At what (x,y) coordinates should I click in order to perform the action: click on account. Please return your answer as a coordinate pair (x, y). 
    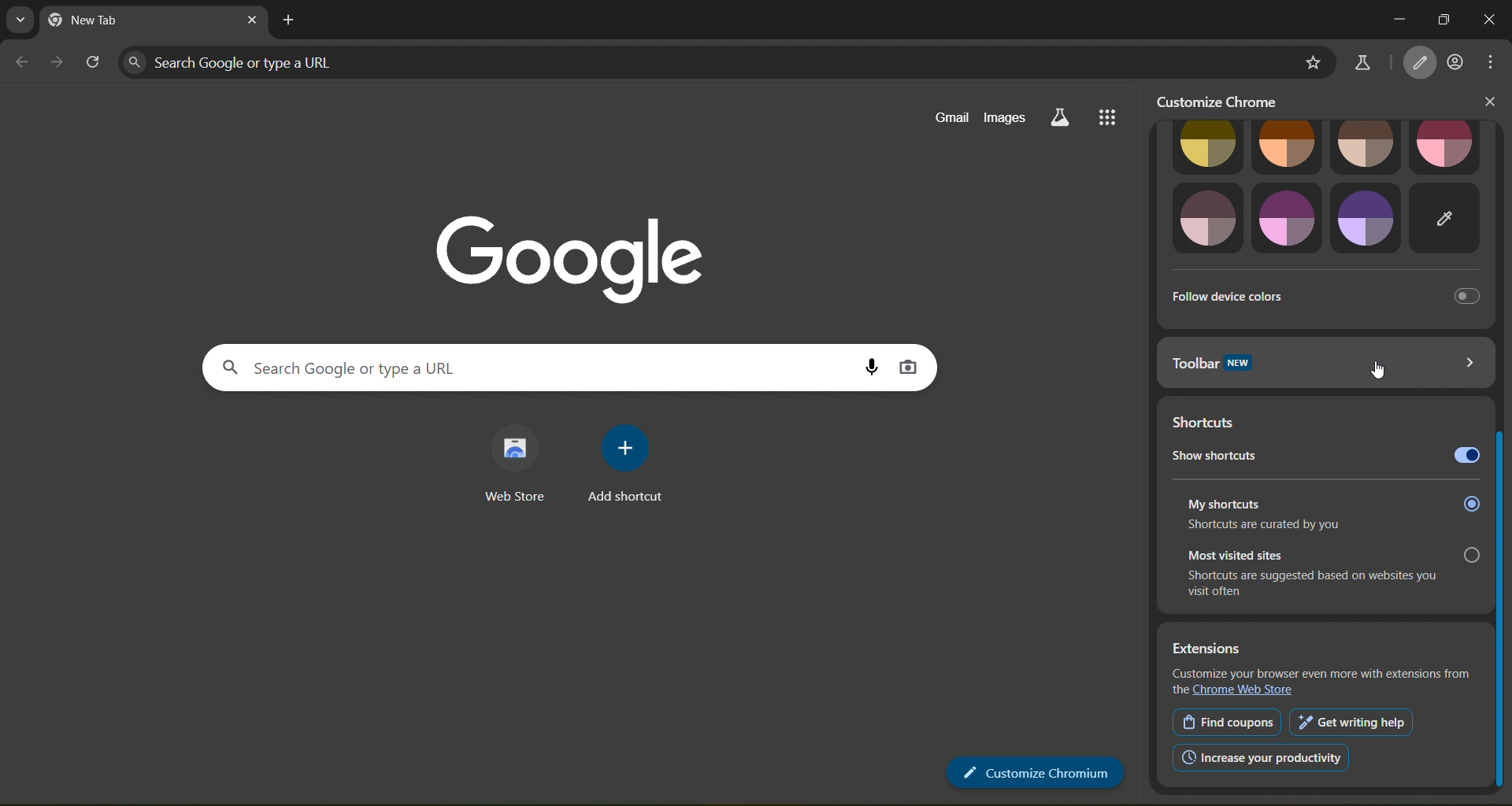
    Looking at the image, I should click on (1455, 63).